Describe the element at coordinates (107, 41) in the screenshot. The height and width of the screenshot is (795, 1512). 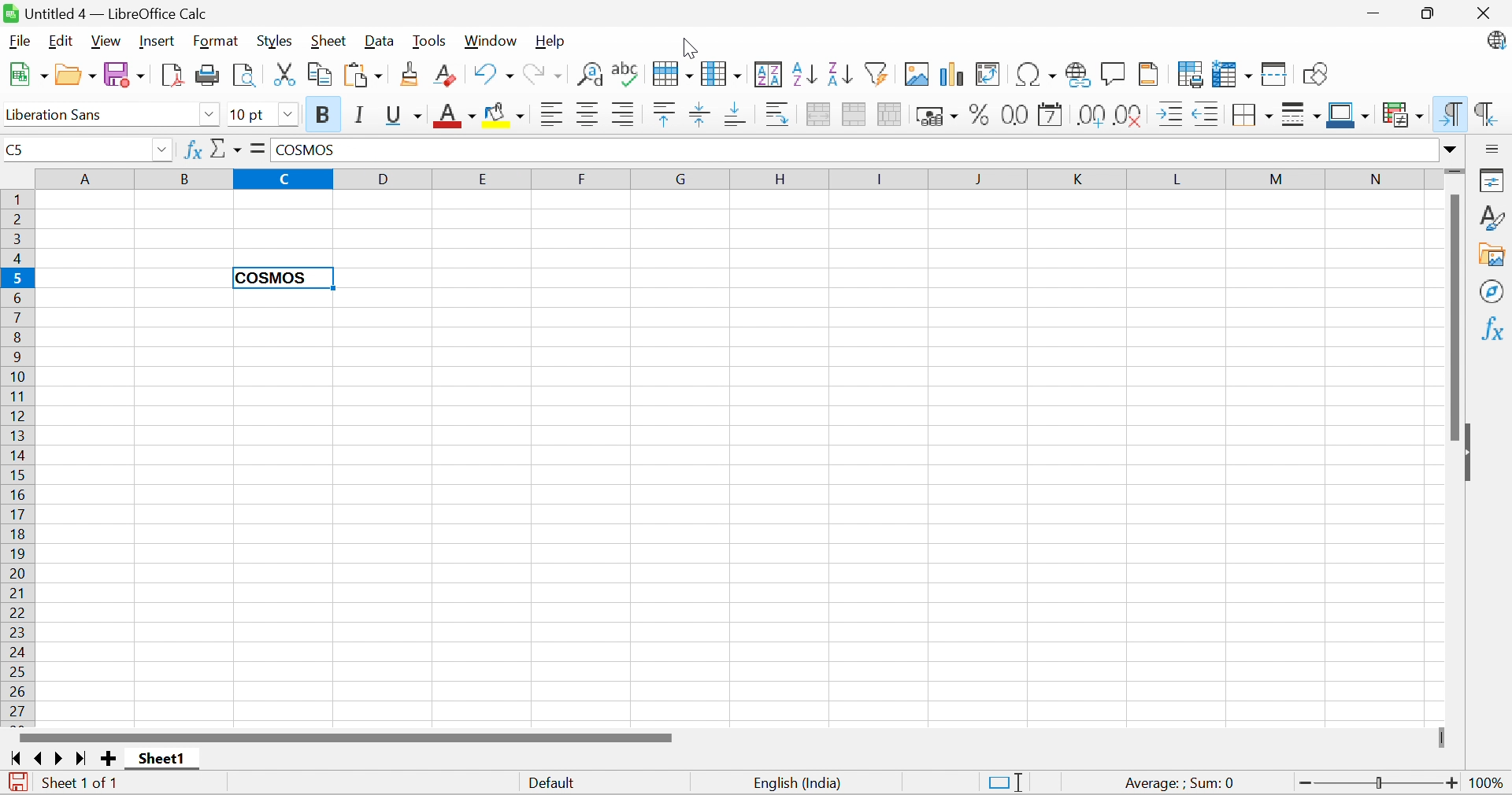
I see `View` at that location.